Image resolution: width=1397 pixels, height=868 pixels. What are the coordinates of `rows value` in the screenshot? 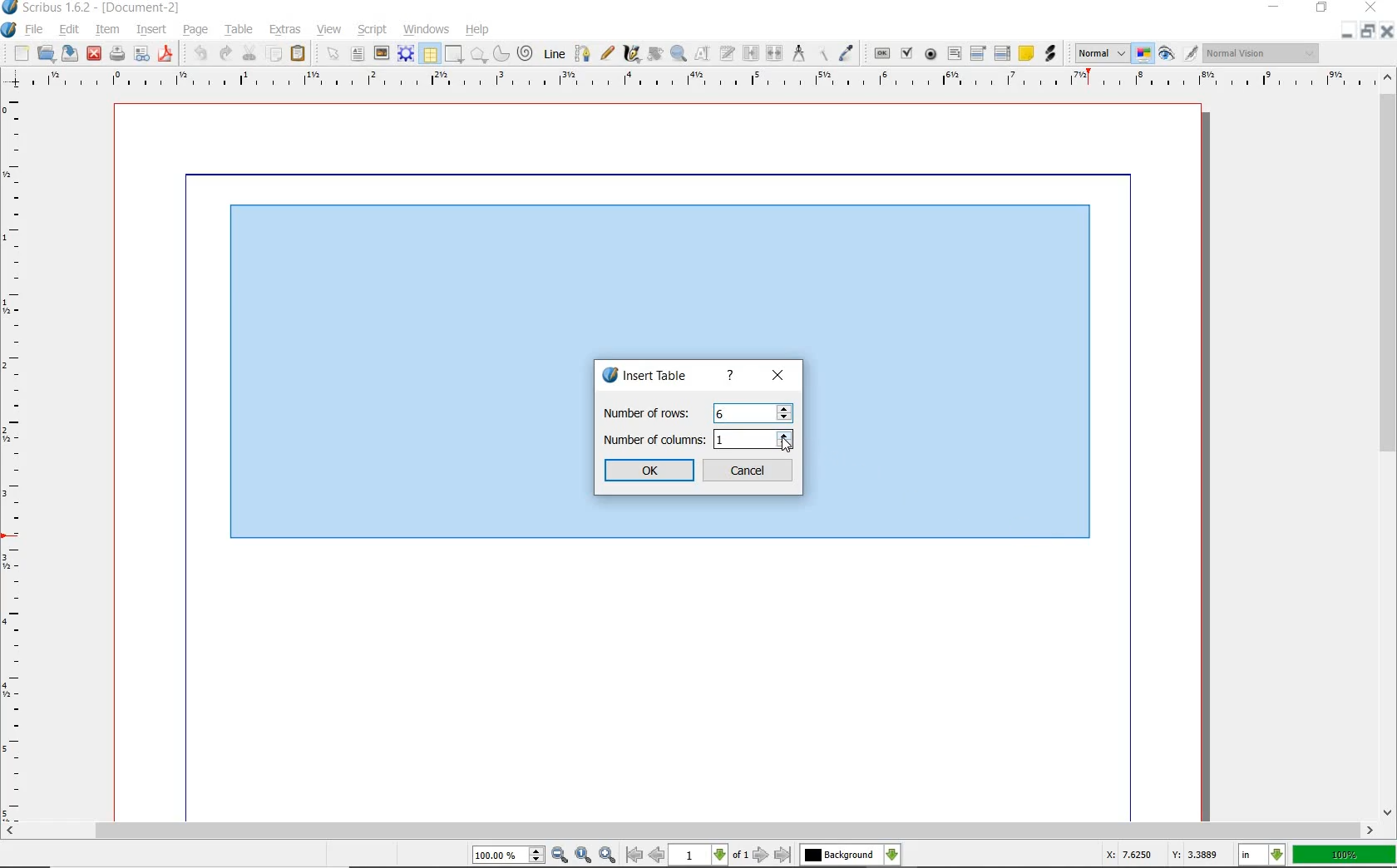 It's located at (753, 413).